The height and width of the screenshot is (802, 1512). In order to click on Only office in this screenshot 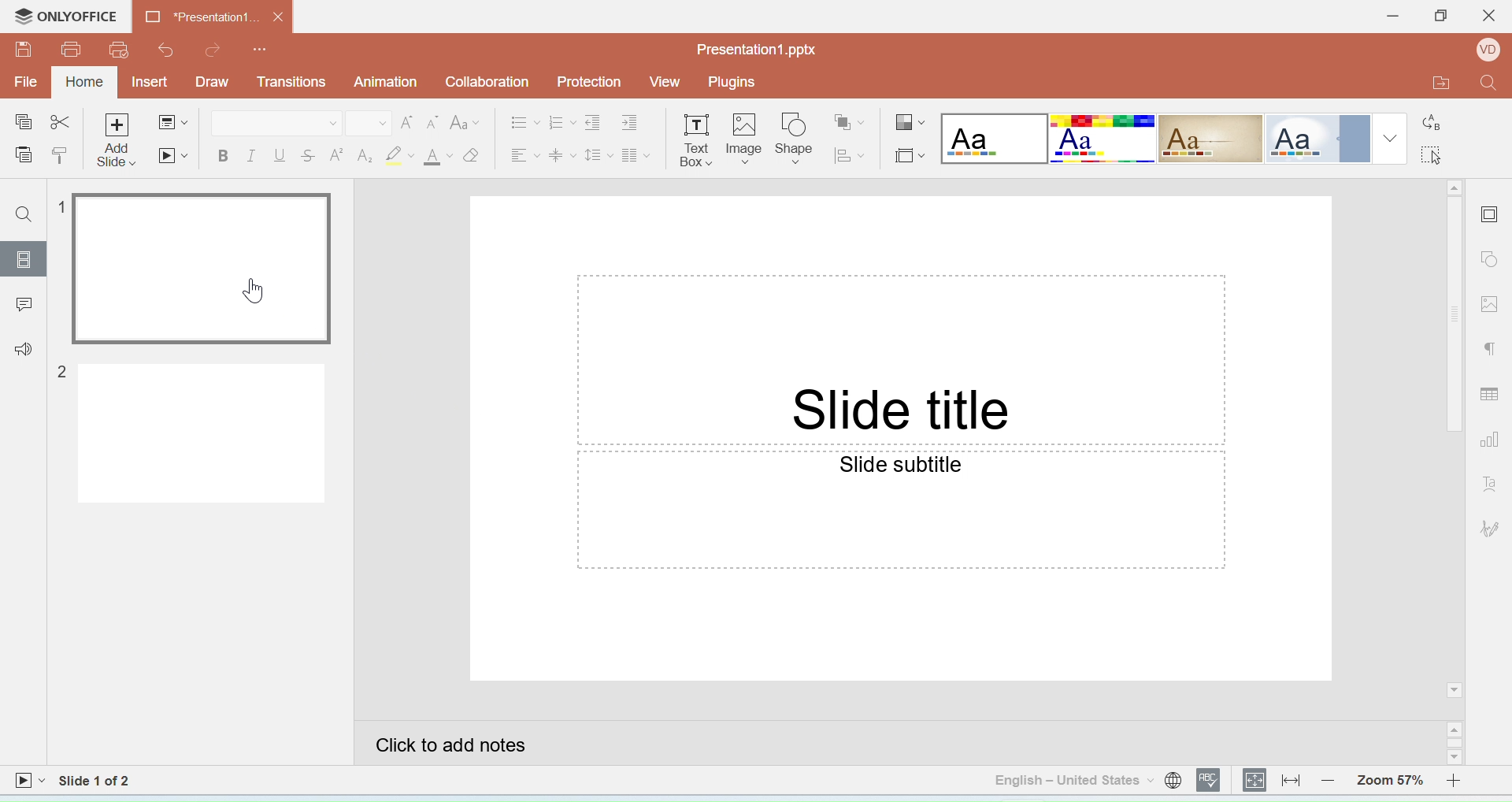, I will do `click(68, 17)`.